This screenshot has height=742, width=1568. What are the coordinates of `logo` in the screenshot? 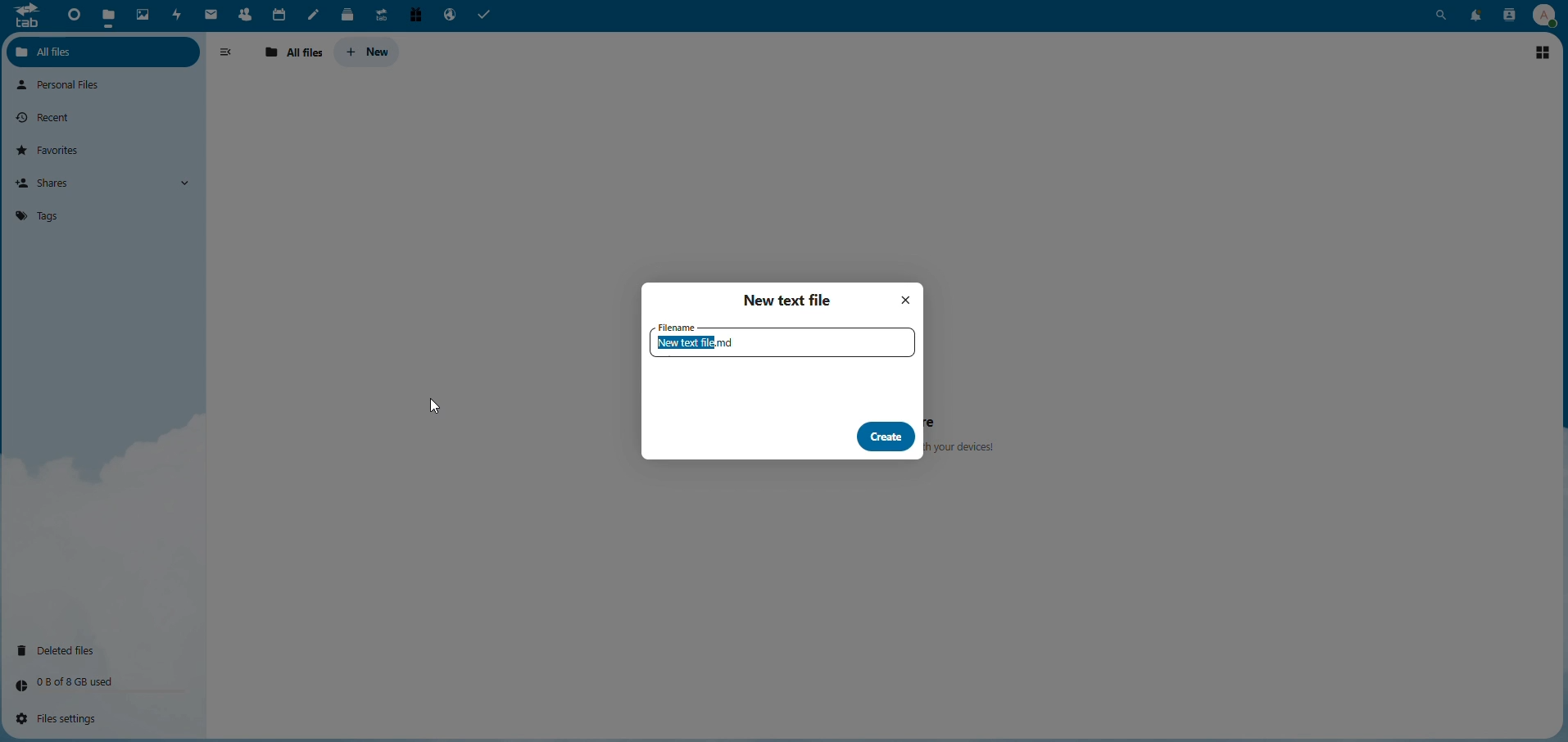 It's located at (26, 20).